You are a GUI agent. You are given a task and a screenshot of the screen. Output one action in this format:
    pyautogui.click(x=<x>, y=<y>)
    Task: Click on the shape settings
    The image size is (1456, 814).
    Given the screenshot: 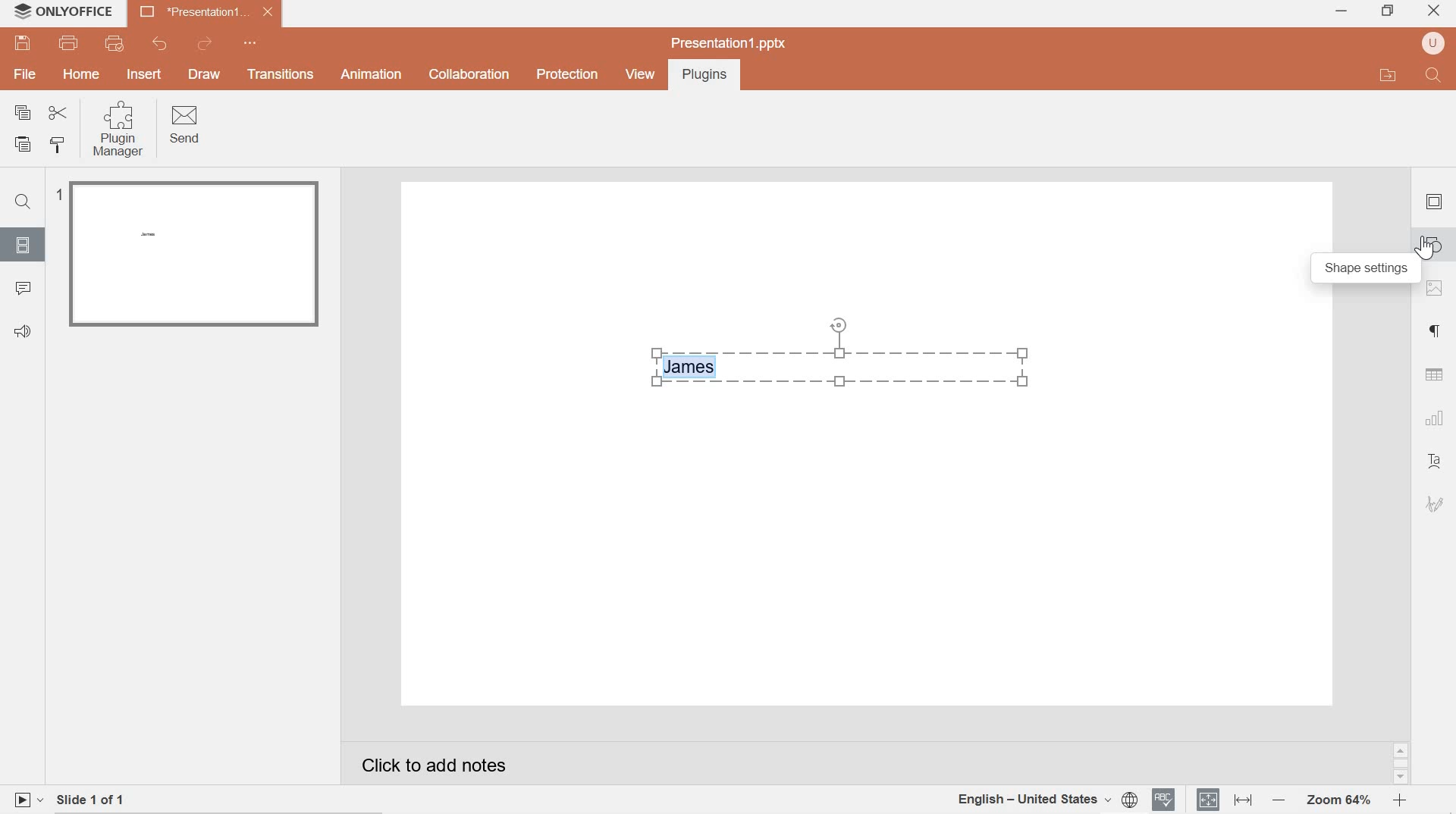 What is the action you would take?
    pyautogui.click(x=1436, y=244)
    